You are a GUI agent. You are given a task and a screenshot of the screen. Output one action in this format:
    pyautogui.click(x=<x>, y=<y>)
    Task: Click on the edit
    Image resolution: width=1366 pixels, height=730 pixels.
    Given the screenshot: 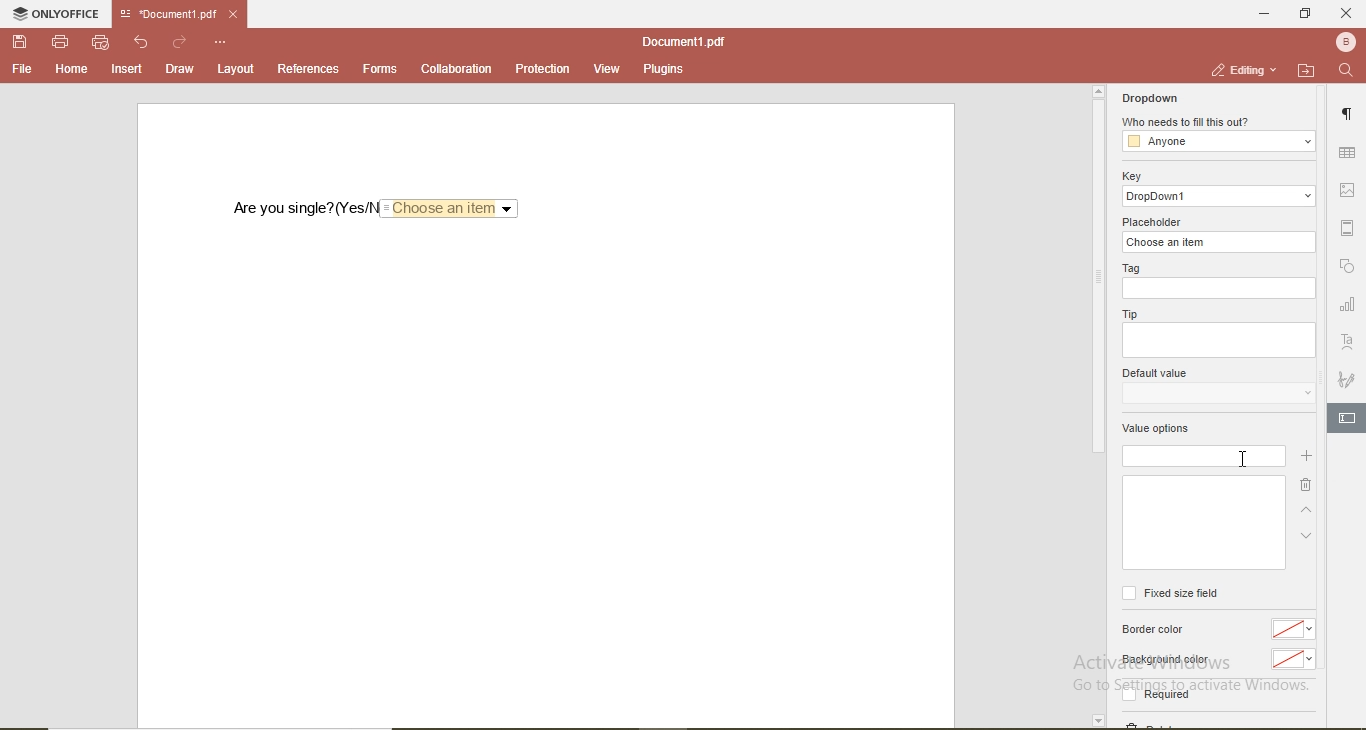 What is the action you would take?
    pyautogui.click(x=1346, y=417)
    